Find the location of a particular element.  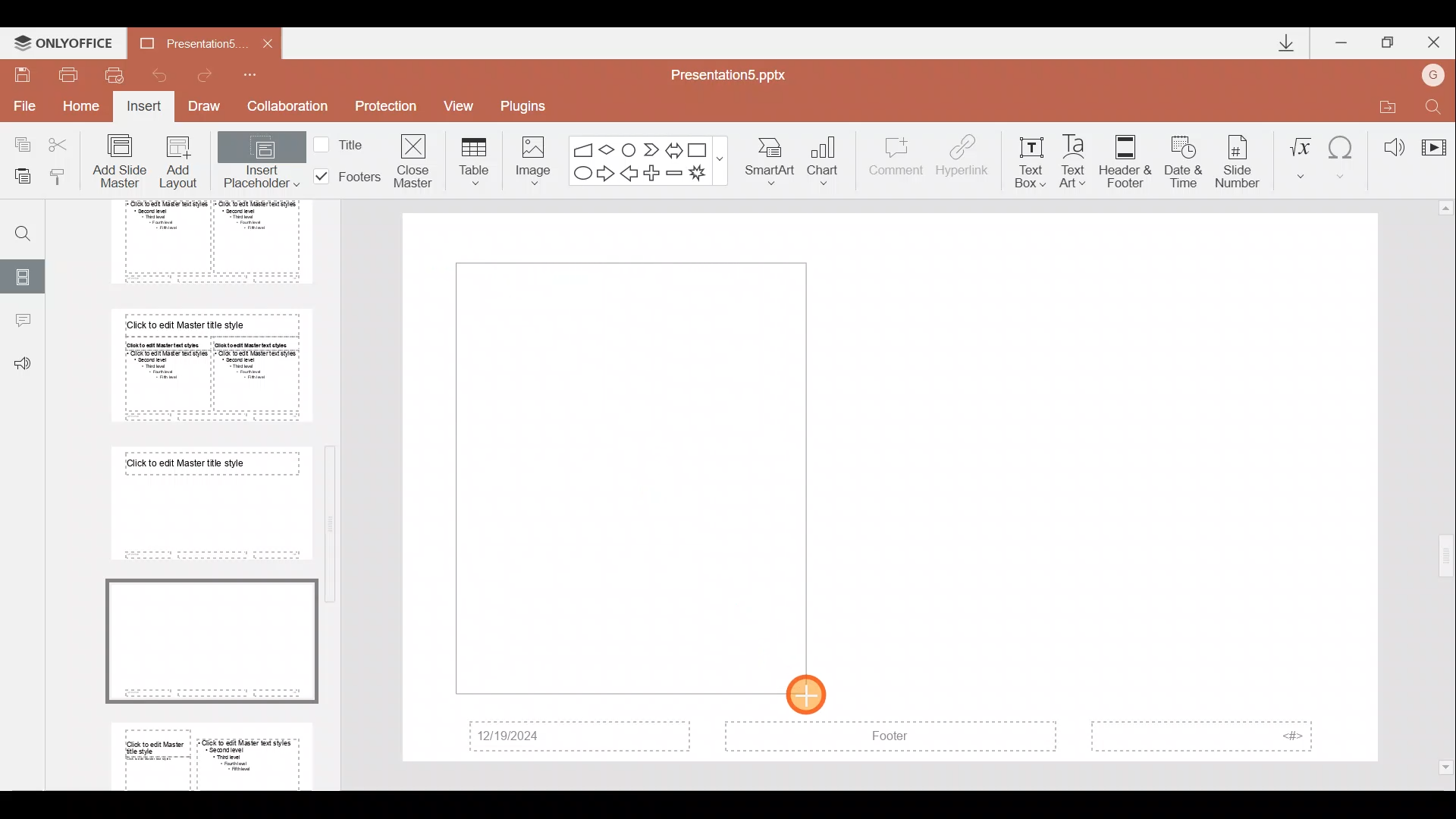

Cut is located at coordinates (62, 144).